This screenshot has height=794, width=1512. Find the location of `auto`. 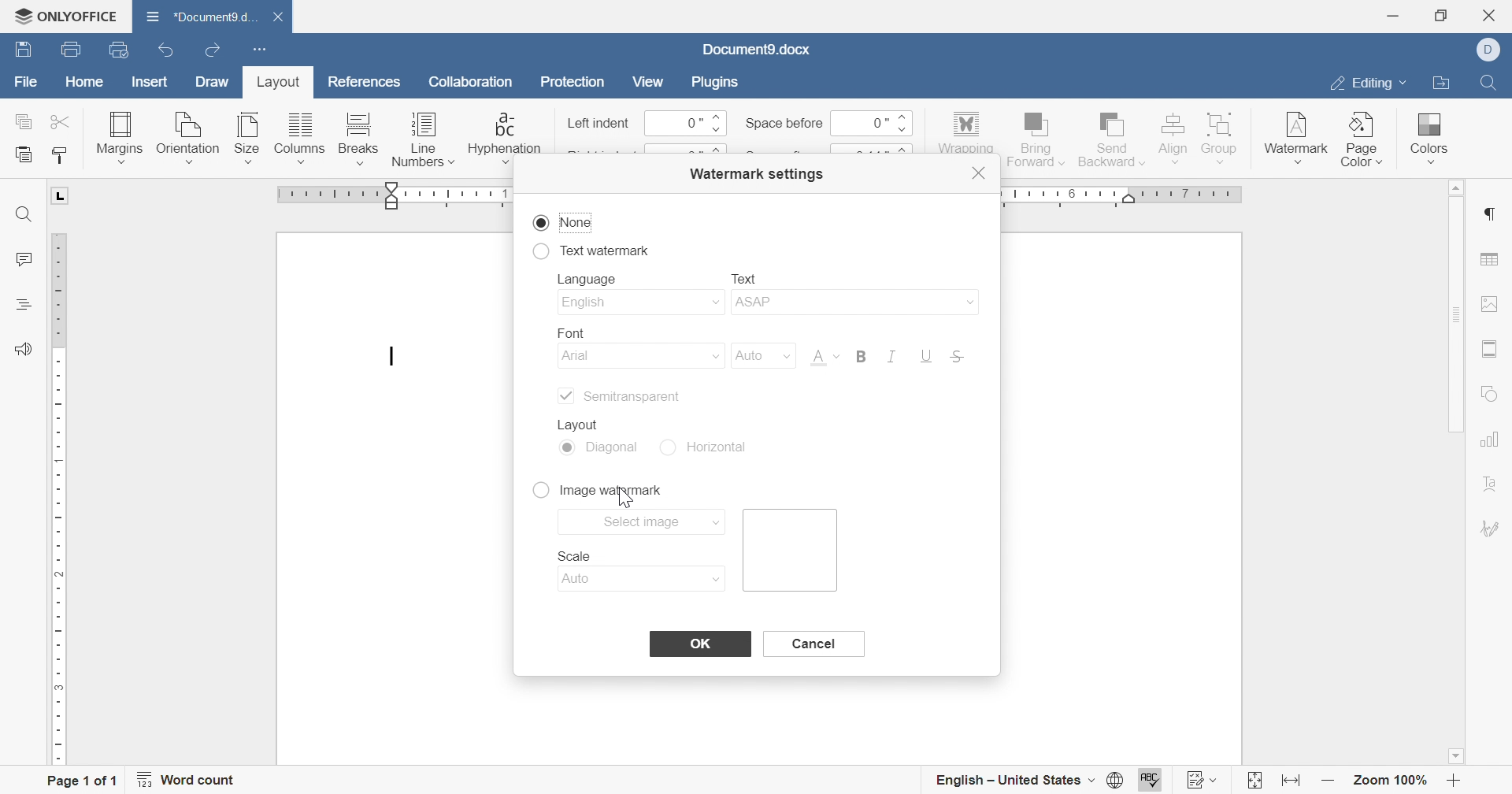

auto is located at coordinates (758, 355).